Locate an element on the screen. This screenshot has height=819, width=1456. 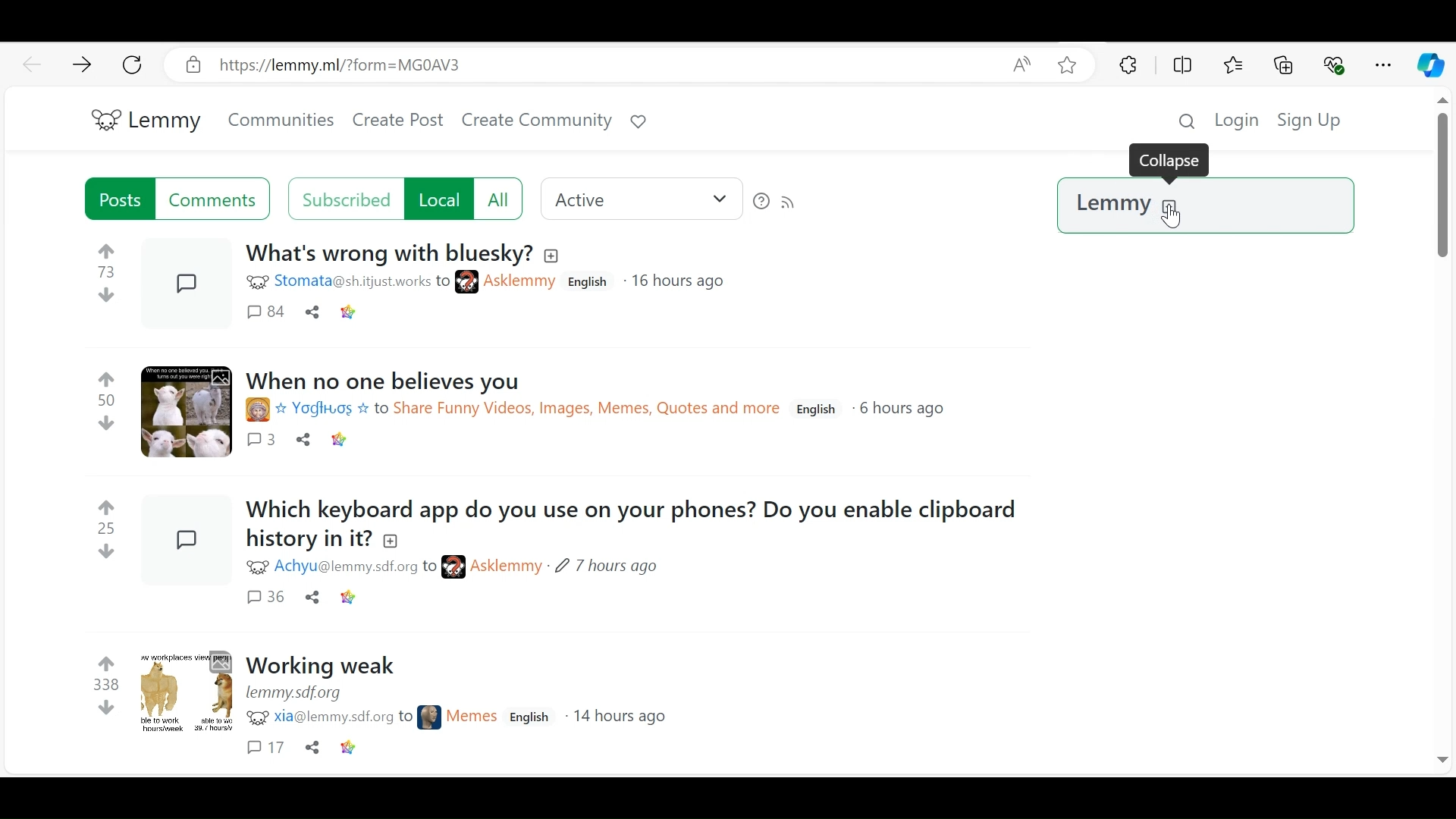
Cursor is located at coordinates (1175, 218).